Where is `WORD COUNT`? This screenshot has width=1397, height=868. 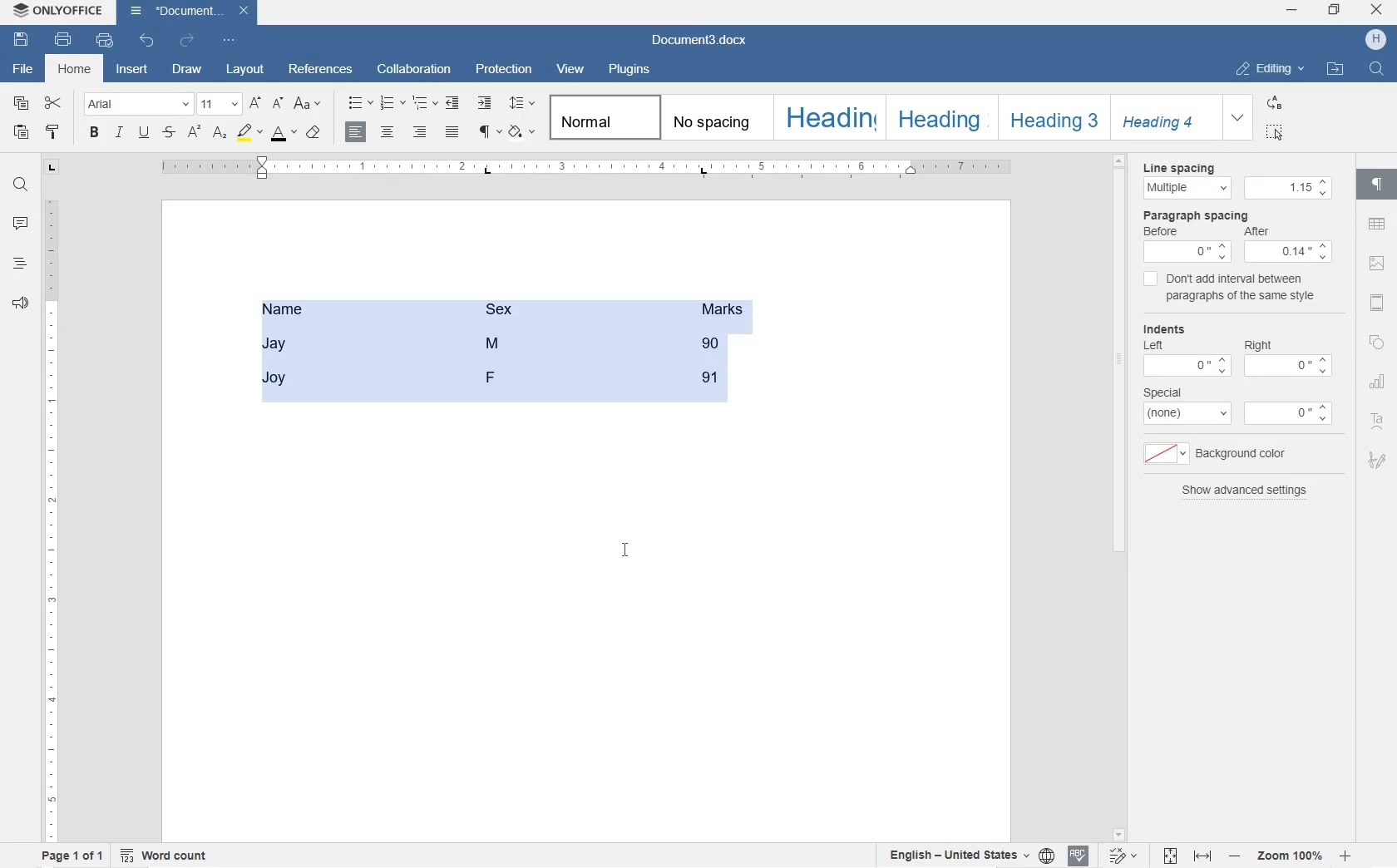 WORD COUNT is located at coordinates (164, 856).